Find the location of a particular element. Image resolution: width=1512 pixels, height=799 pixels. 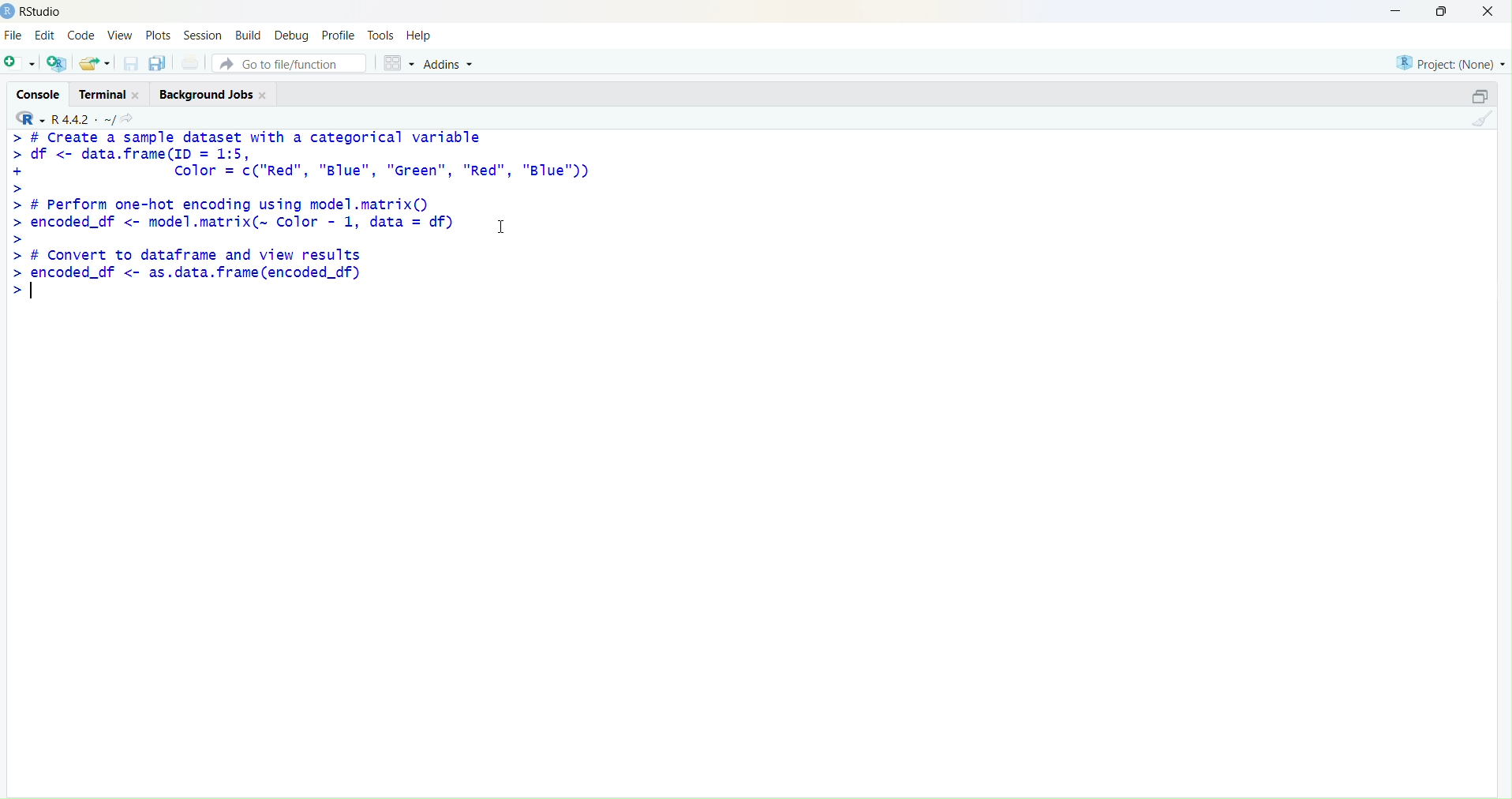

> # Create a sample dataset with a categorical variable> df <- data.frame(ID = 1:5,+ Color = c("Red", "Blue", "Green", "Red", "Blue"))>> # Perform one-hot encoding using model.matrix()> encoded_df <- model.matrix(~ Color - 1, data = df) 1>> # Convert to dataframe and view results> encoded_df <- as.data.frame(encoded_df) is located at coordinates (305, 216).